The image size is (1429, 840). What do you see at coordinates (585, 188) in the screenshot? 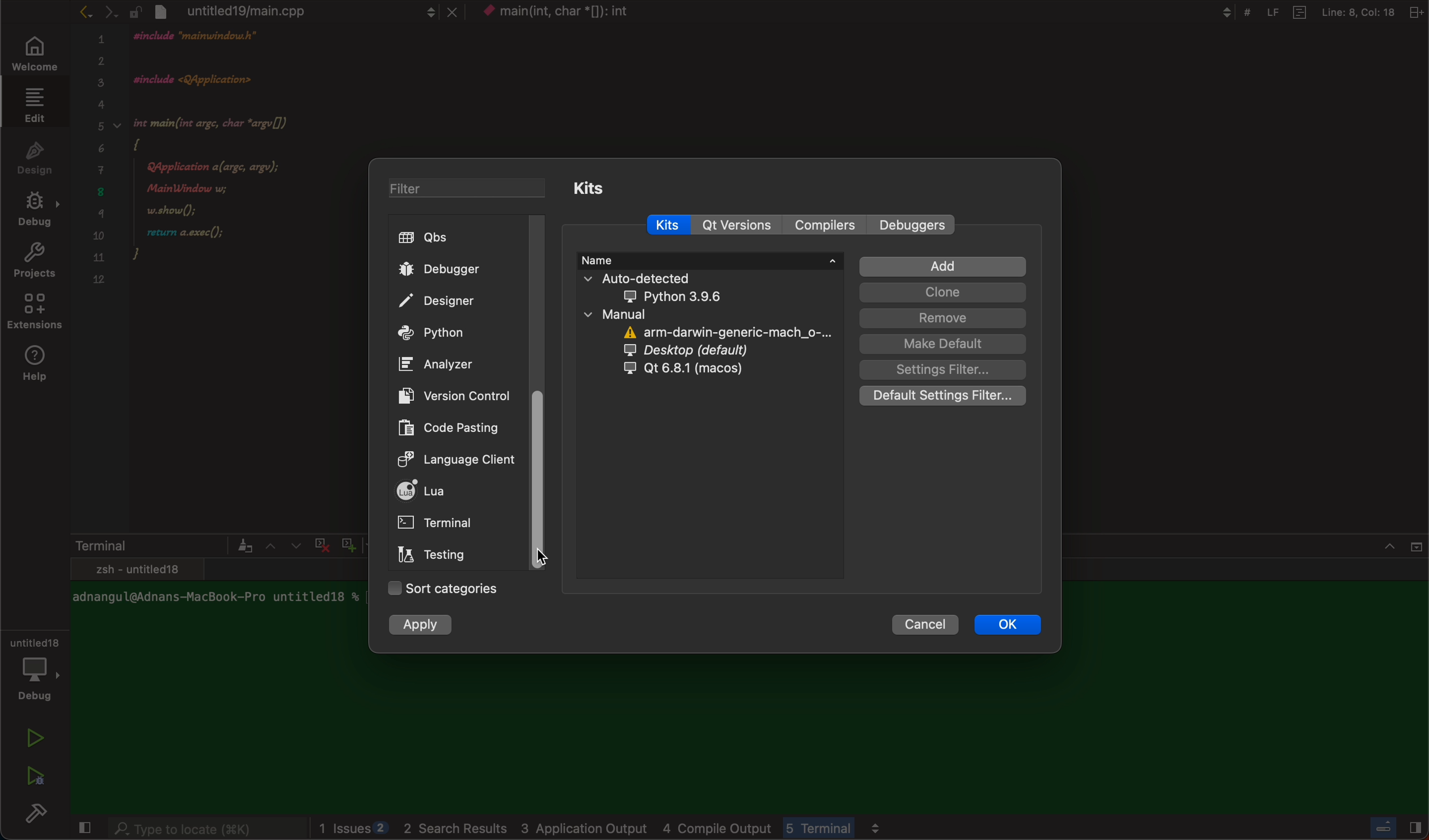
I see `kits` at bounding box center [585, 188].